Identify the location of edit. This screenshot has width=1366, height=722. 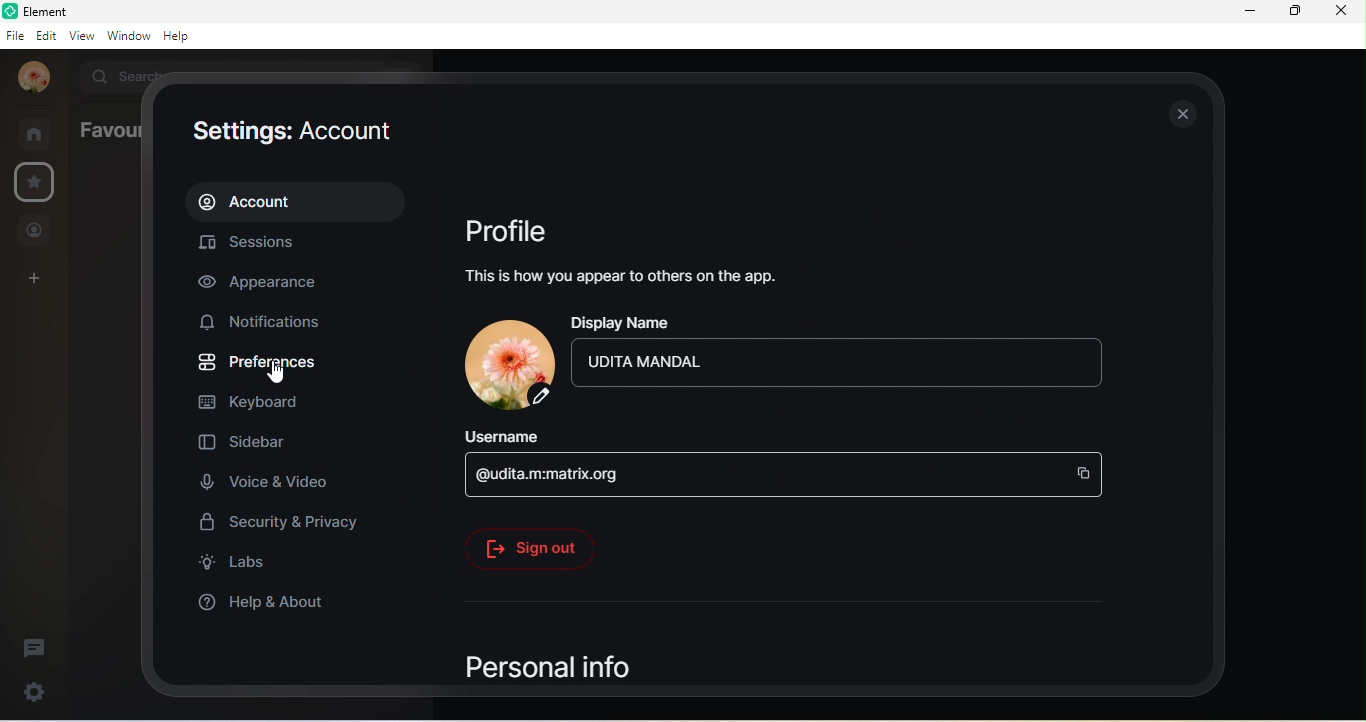
(44, 35).